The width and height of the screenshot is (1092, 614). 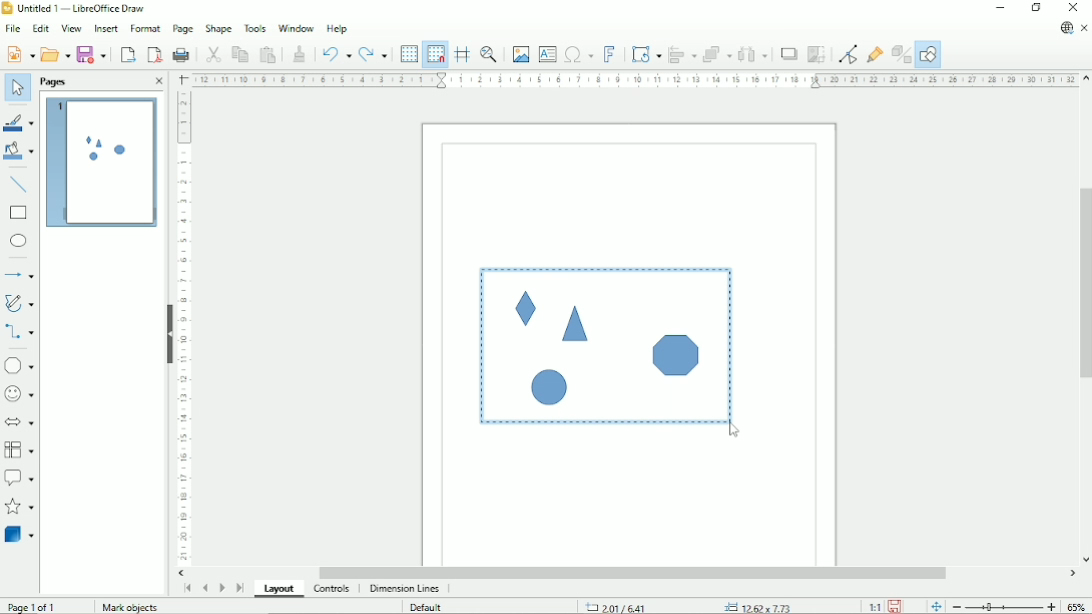 I want to click on Scroll to last page, so click(x=240, y=587).